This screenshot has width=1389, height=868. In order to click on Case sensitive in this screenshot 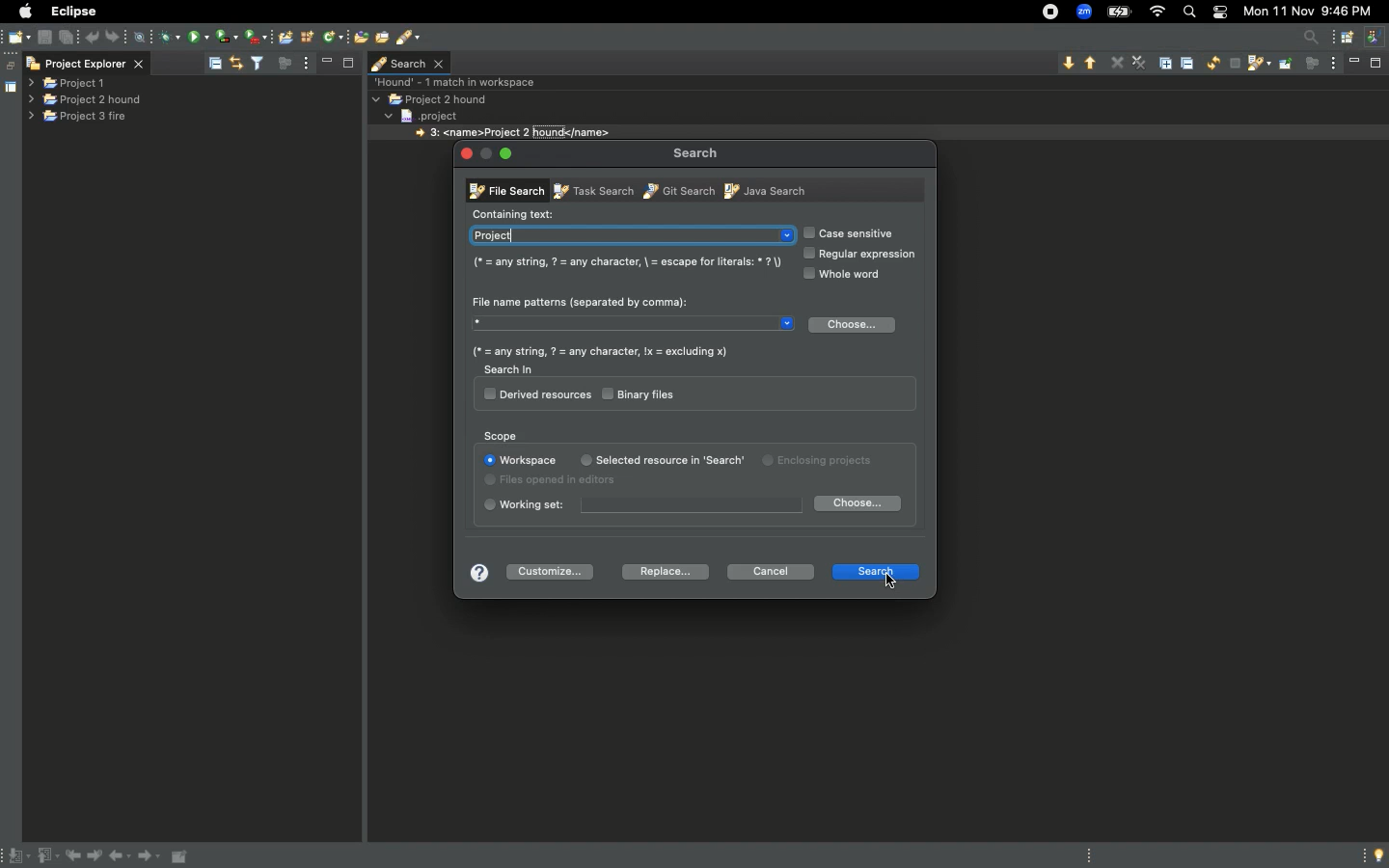, I will do `click(854, 233)`.